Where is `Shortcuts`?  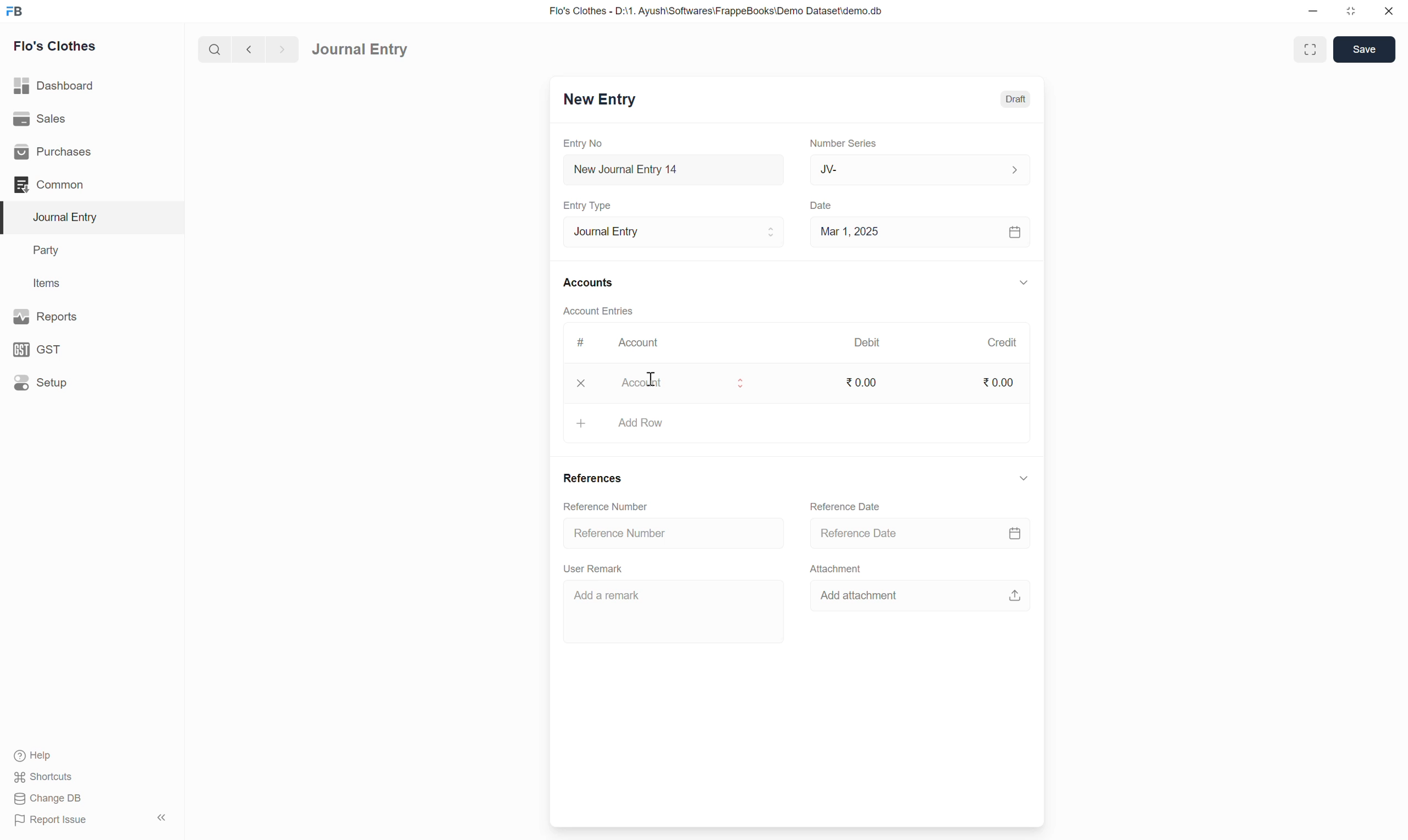 Shortcuts is located at coordinates (48, 777).